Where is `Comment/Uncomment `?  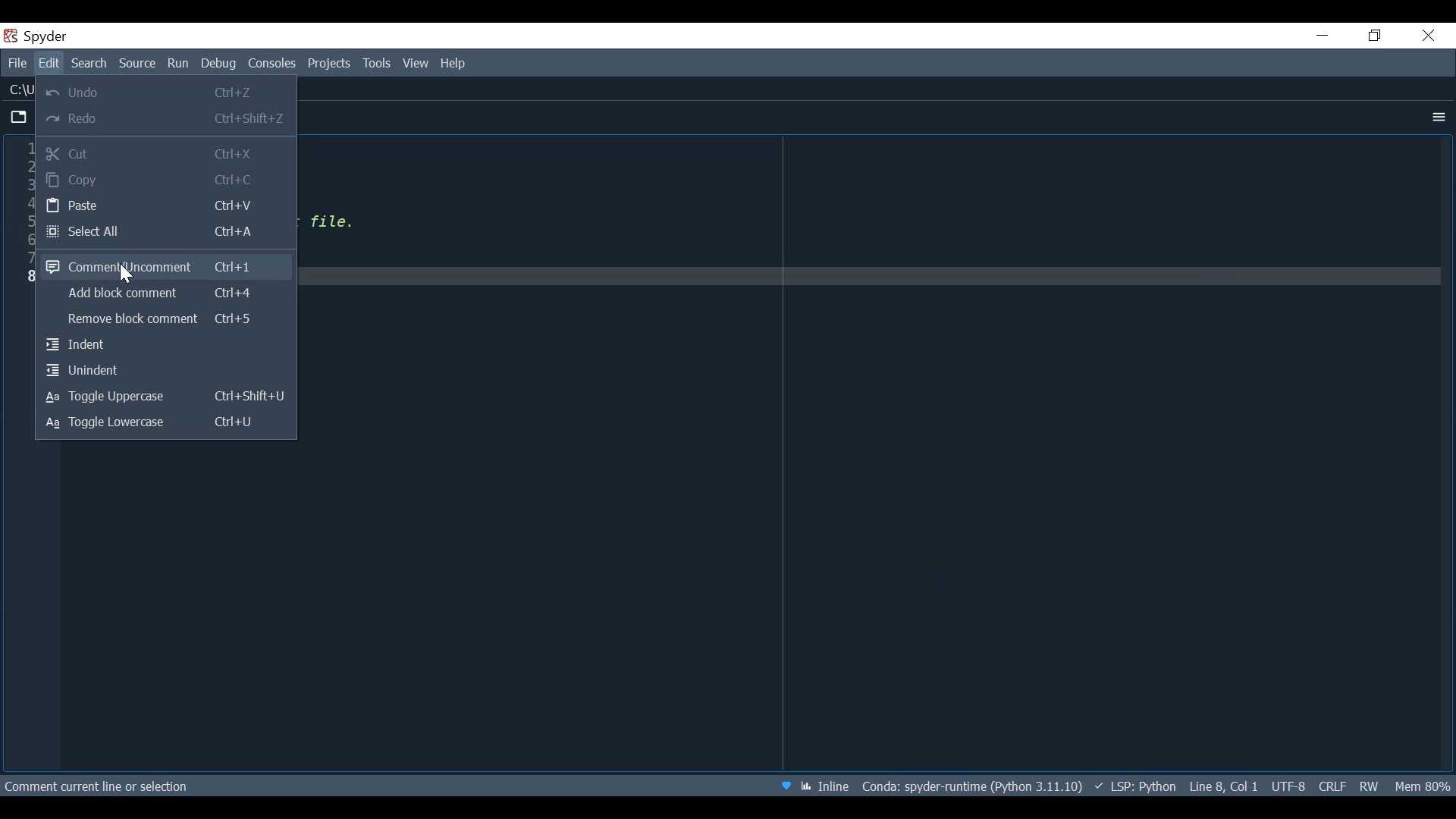 Comment/Uncomment  is located at coordinates (162, 265).